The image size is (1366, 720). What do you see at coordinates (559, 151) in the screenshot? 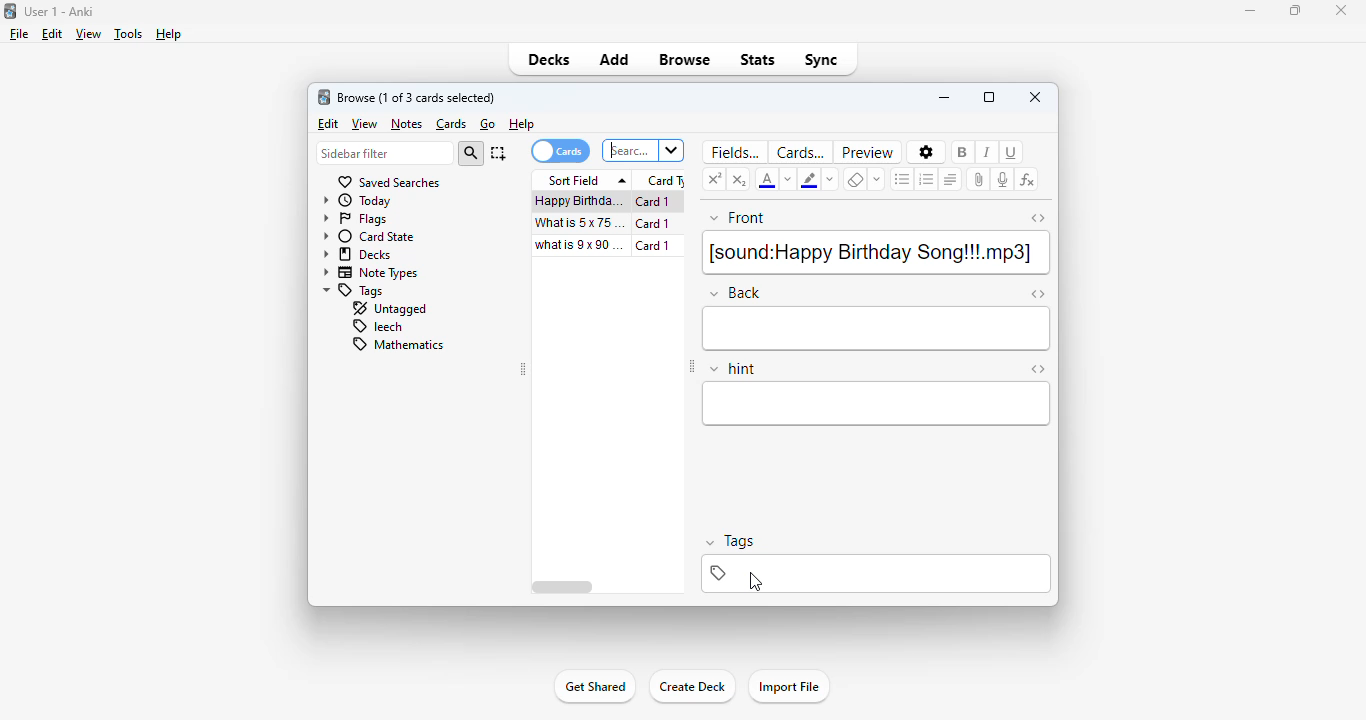
I see `cards` at bounding box center [559, 151].